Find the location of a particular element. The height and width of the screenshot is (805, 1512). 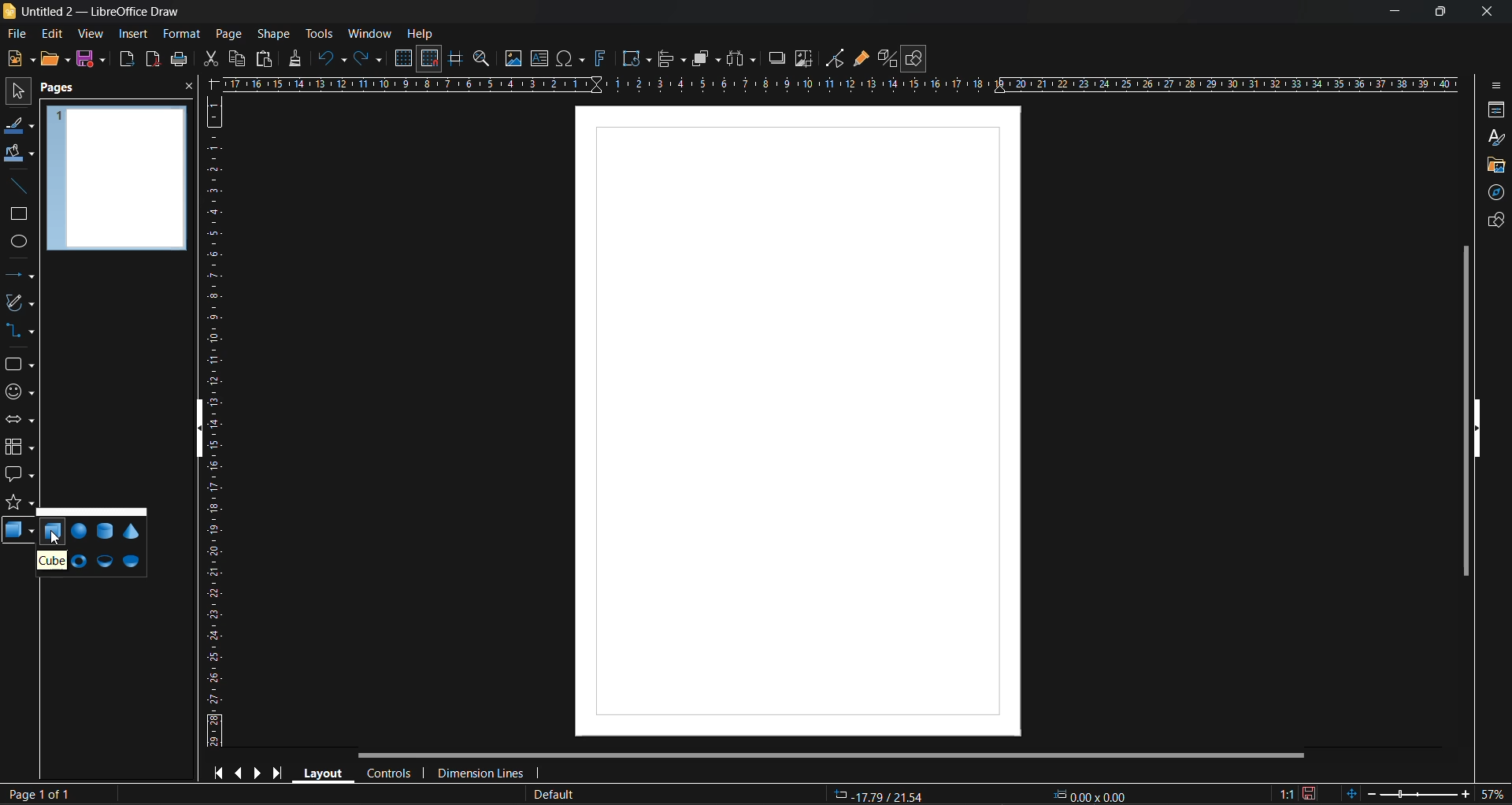

clone formatting is located at coordinates (296, 58).